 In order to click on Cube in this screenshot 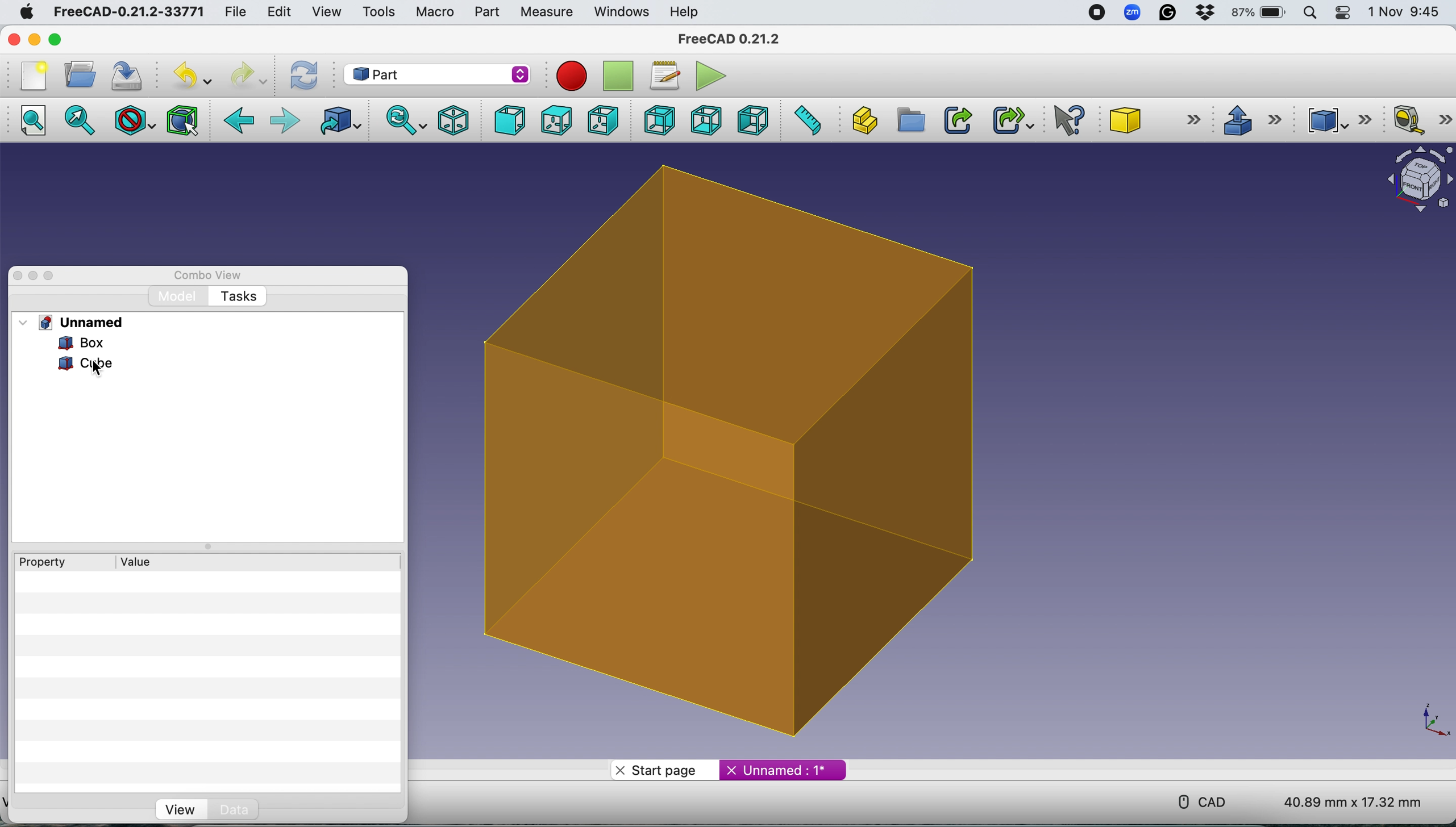, I will do `click(1151, 120)`.